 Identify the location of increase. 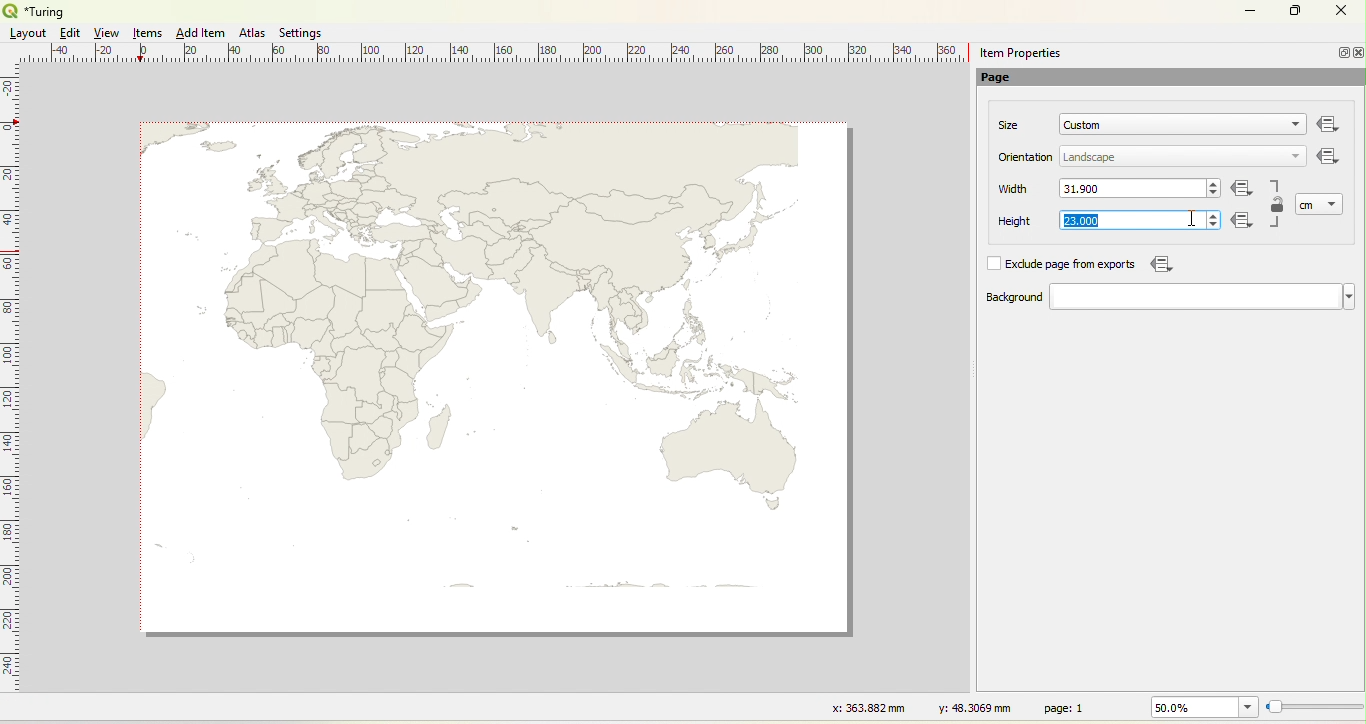
(1215, 182).